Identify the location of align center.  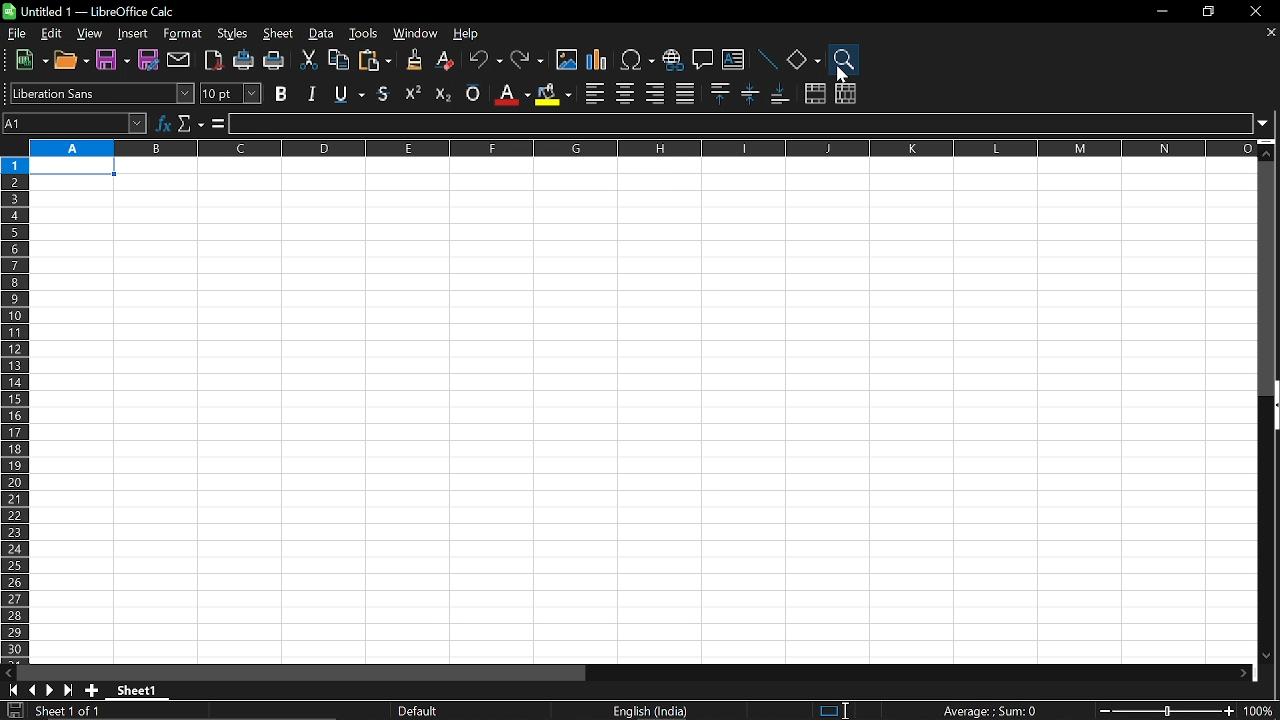
(625, 94).